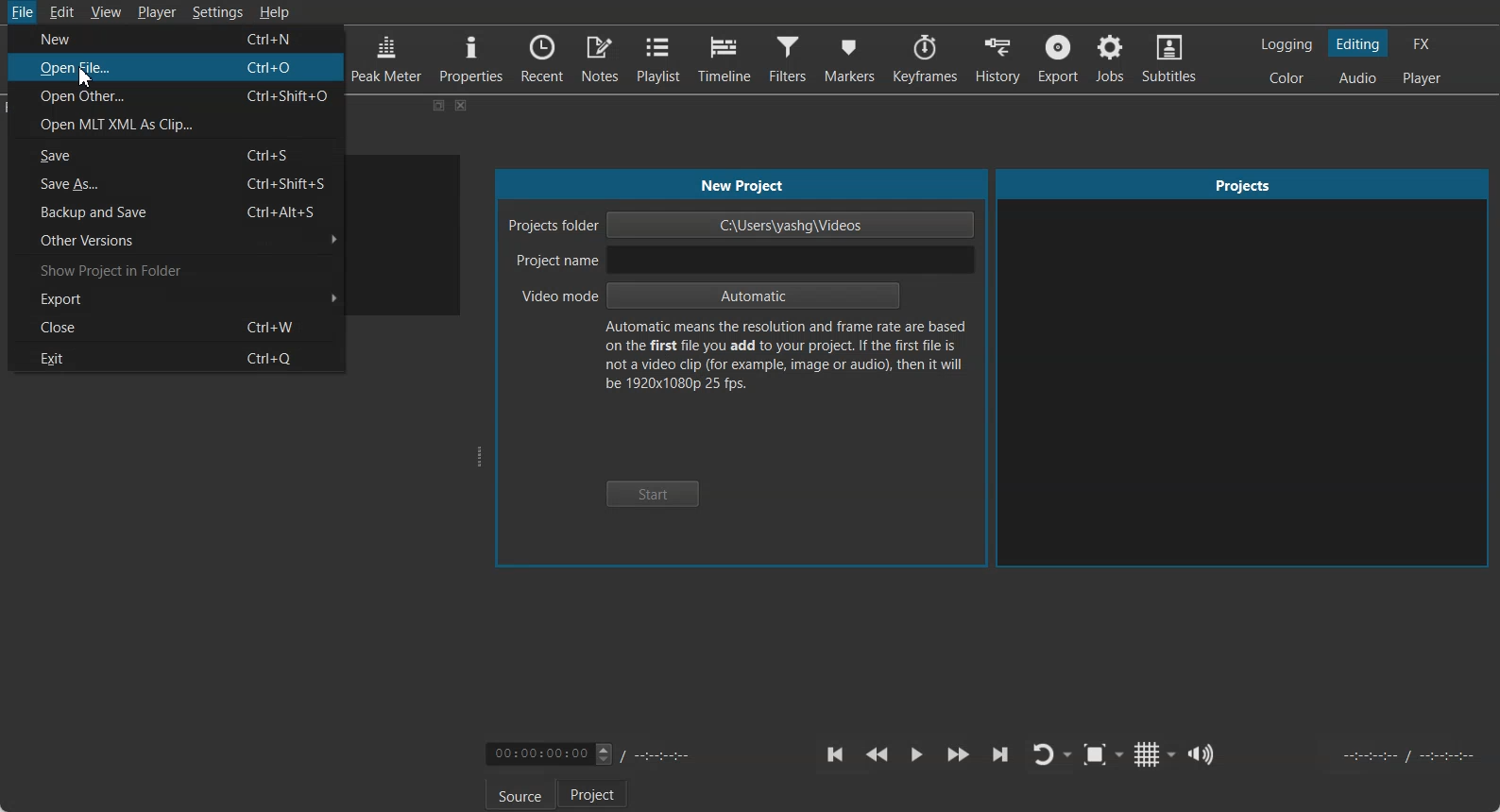 This screenshot has height=812, width=1500. Describe the element at coordinates (1069, 755) in the screenshot. I see `Drop down box` at that location.